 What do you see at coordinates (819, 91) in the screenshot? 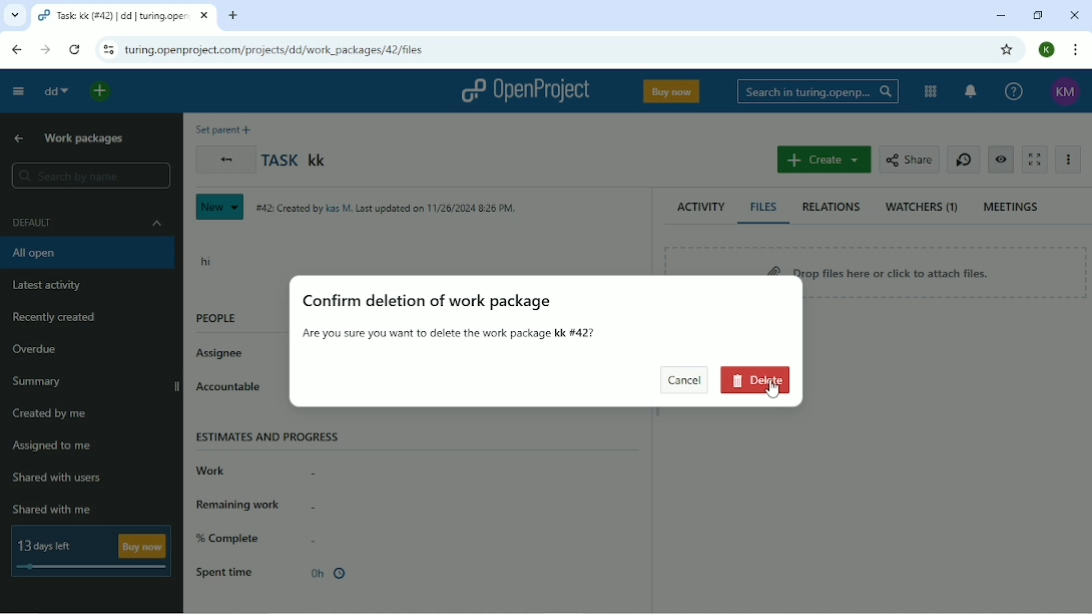
I see `Search in turing.openproject.com` at bounding box center [819, 91].